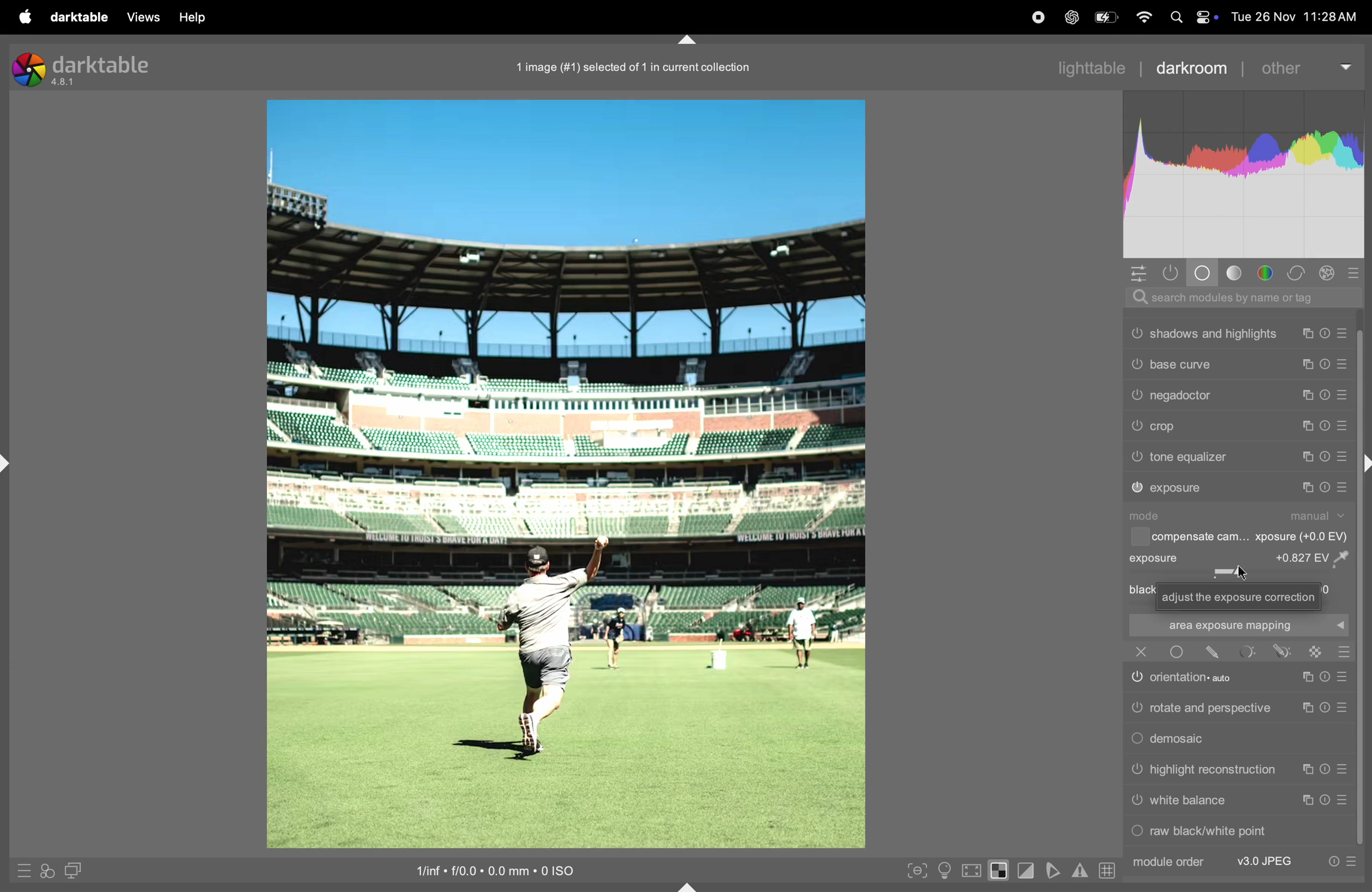  I want to click on Switch on or off, so click(1136, 458).